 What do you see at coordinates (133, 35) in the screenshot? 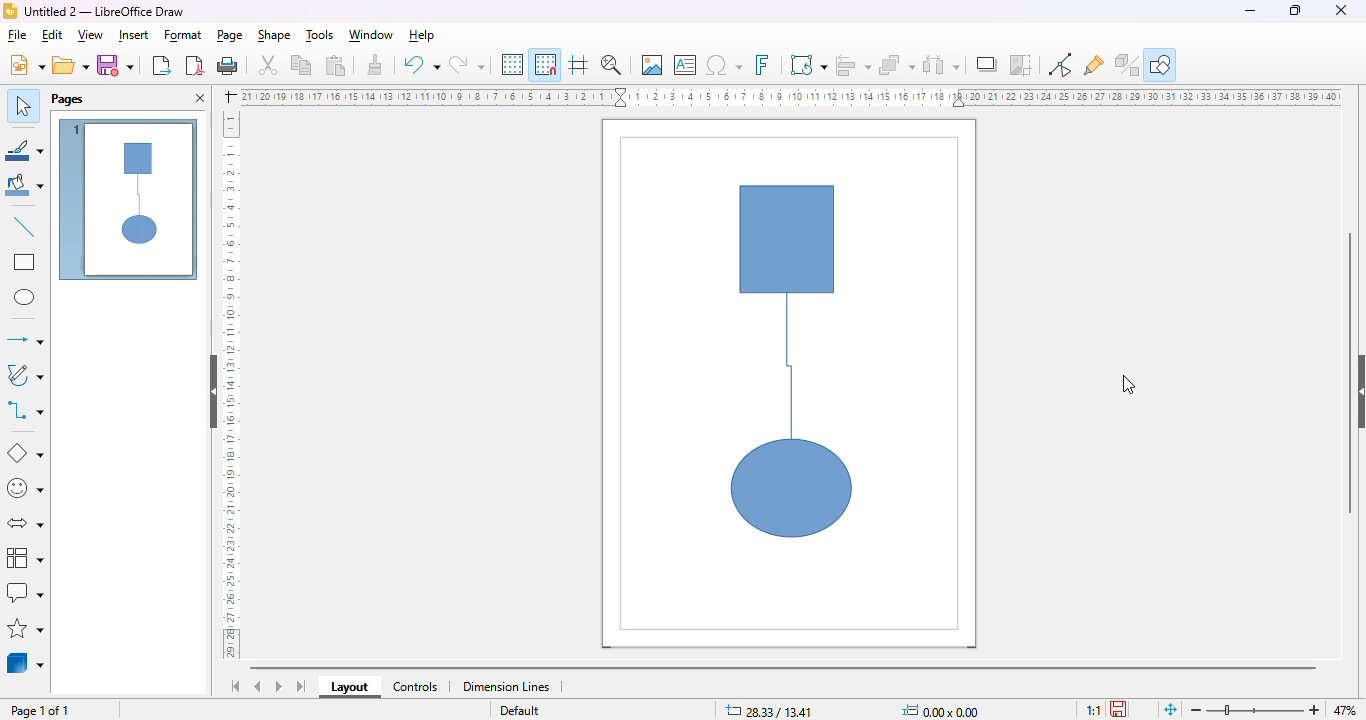
I see `insert` at bounding box center [133, 35].